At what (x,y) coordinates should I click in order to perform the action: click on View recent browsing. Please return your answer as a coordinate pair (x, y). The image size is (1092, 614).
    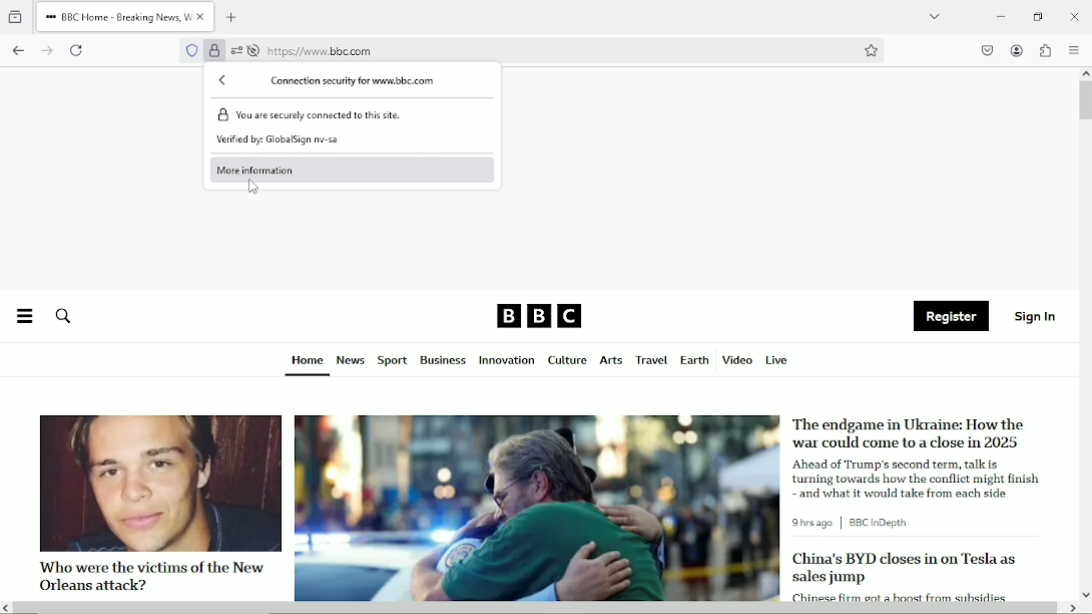
    Looking at the image, I should click on (14, 15).